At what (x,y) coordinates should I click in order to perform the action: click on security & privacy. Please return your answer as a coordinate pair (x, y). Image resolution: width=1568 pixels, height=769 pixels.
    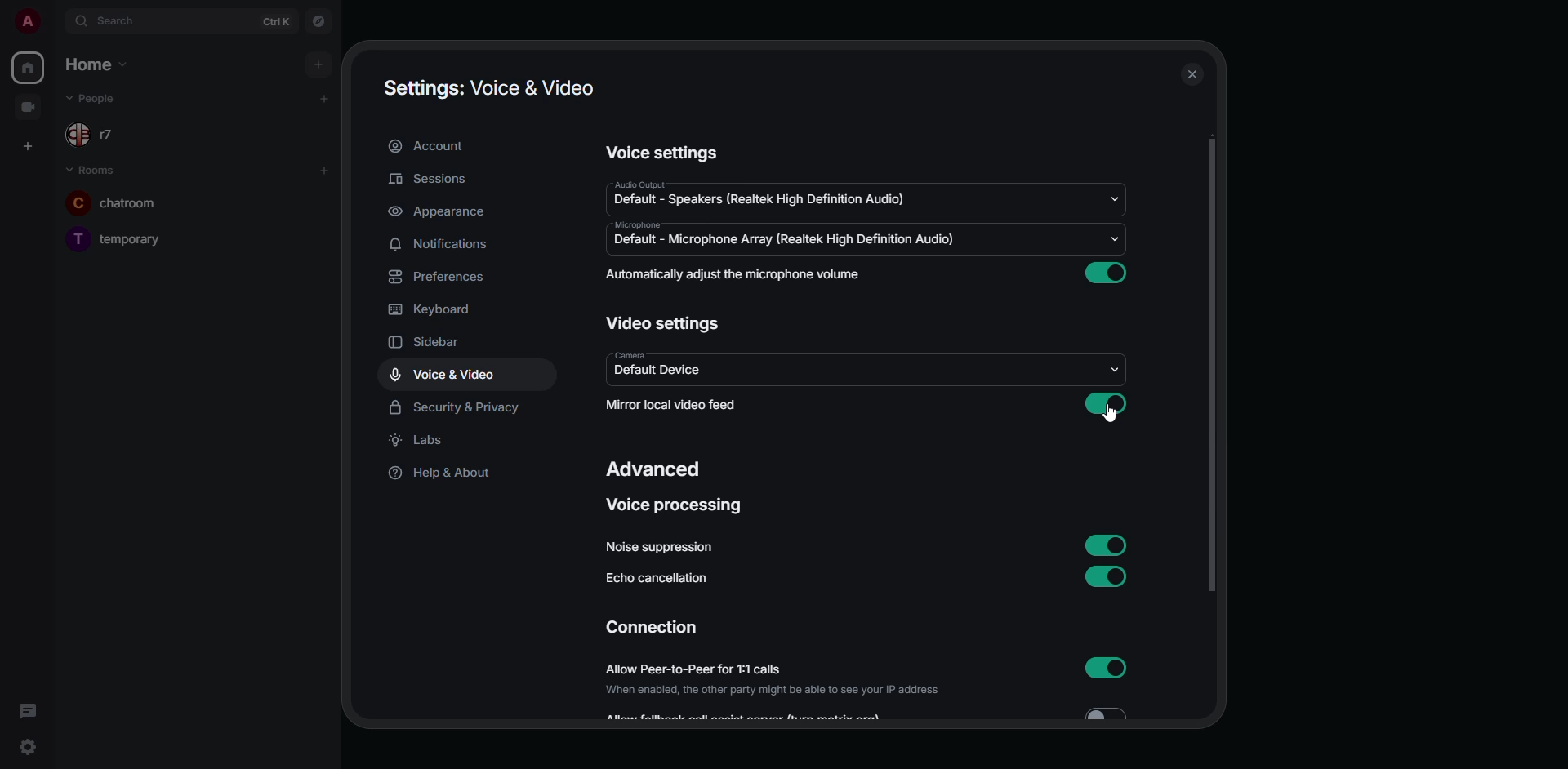
    Looking at the image, I should click on (457, 408).